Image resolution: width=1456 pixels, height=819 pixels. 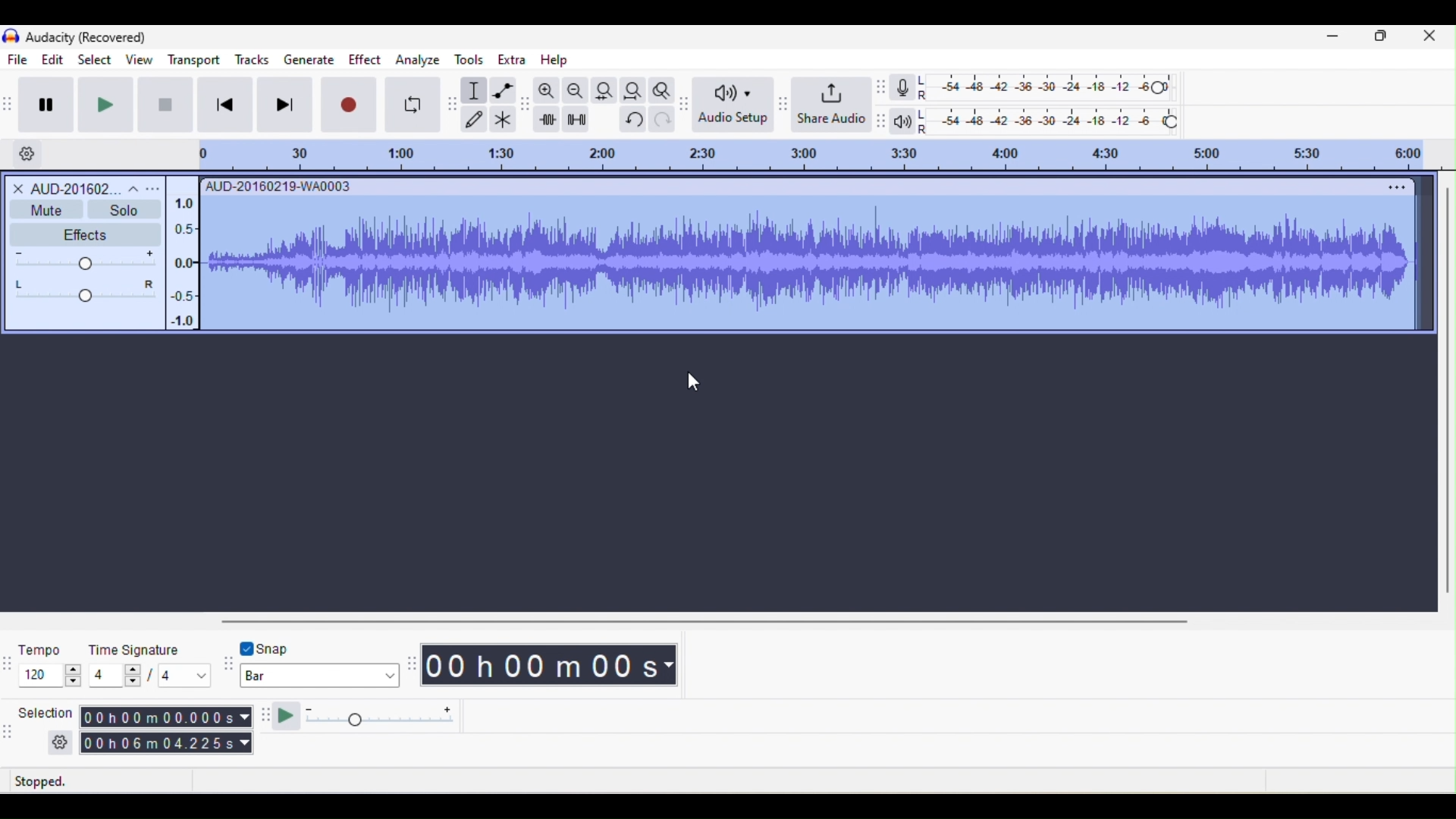 What do you see at coordinates (319, 676) in the screenshot?
I see `bar` at bounding box center [319, 676].